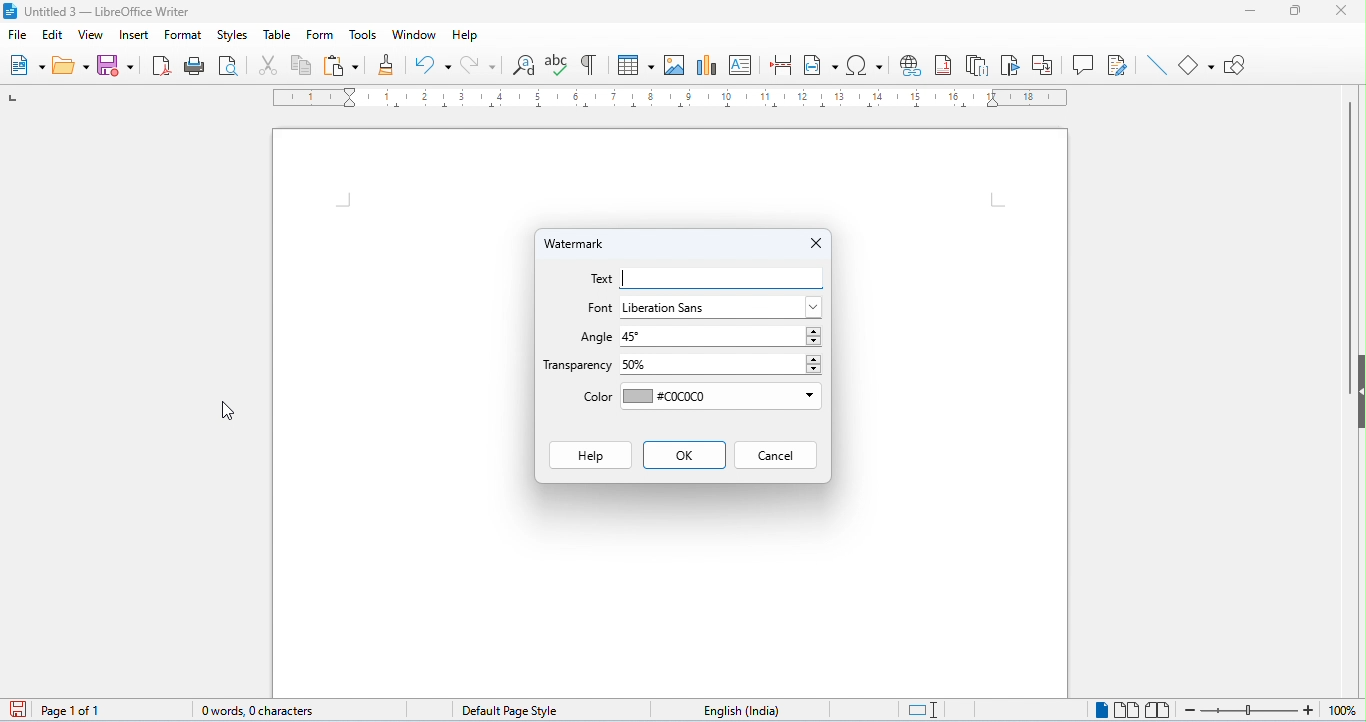  I want to click on language, so click(734, 708).